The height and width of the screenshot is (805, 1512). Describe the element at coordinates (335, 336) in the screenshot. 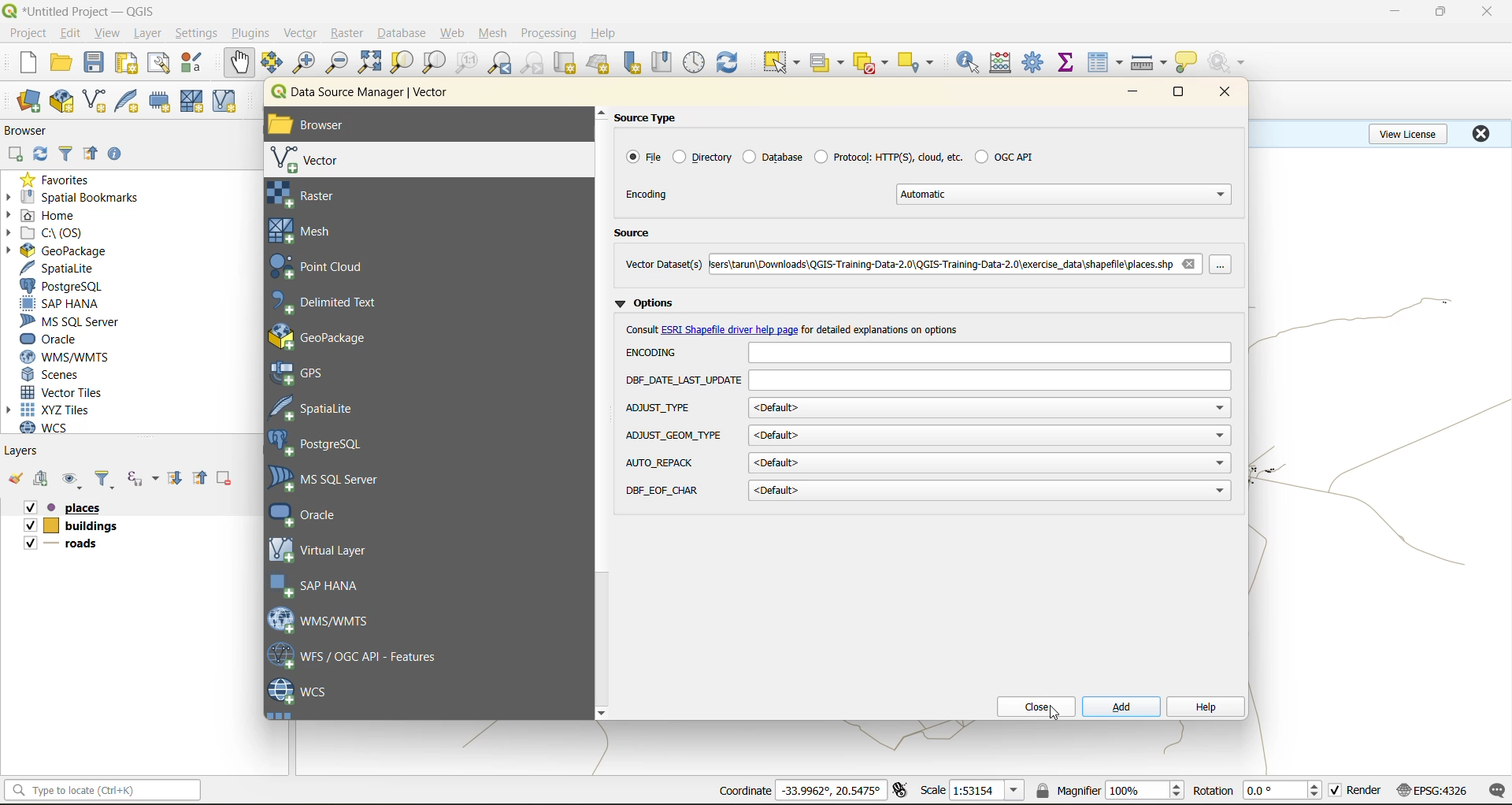

I see `geo package` at that location.